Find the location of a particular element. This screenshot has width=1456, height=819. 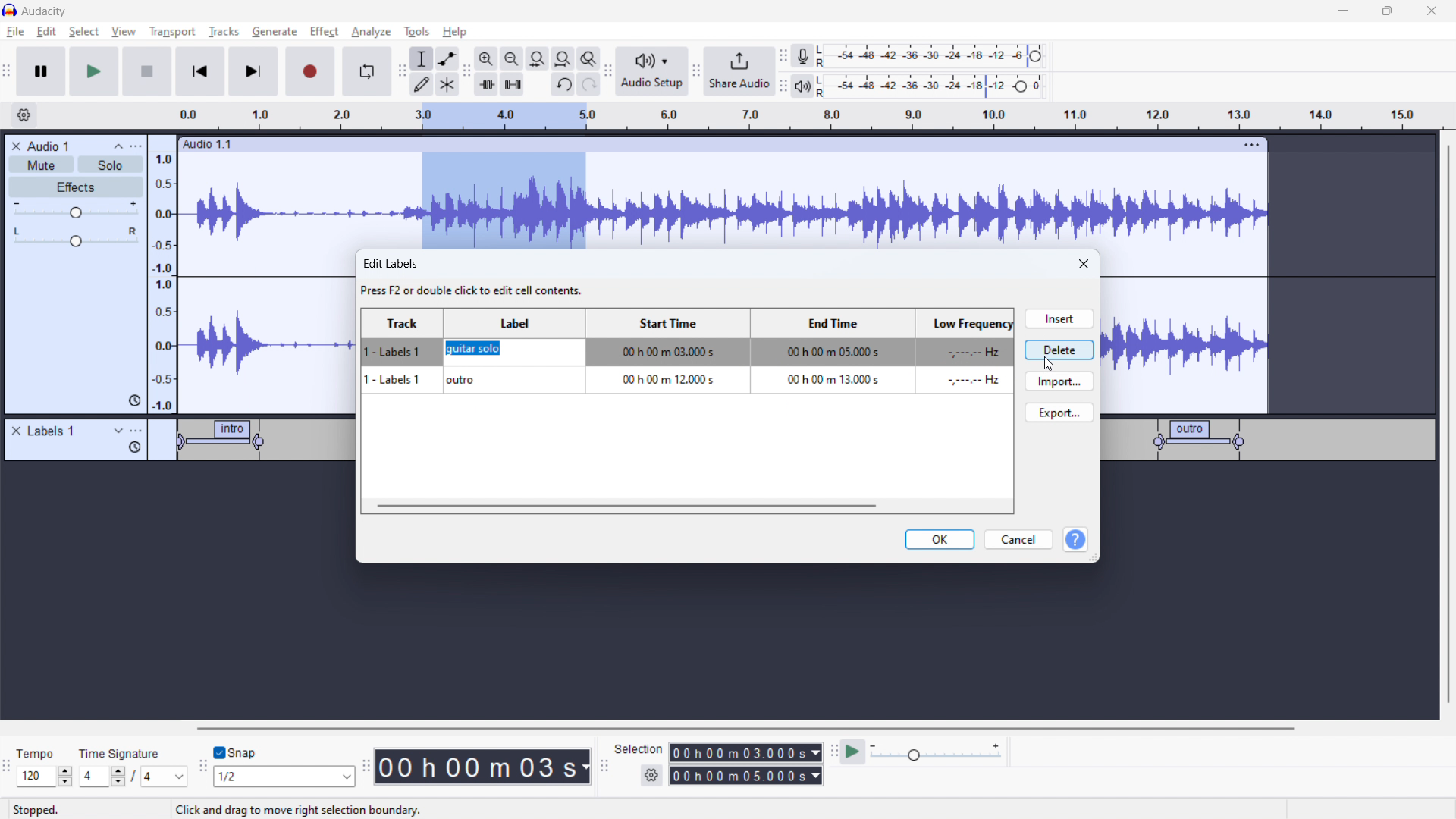

stop is located at coordinates (147, 71).